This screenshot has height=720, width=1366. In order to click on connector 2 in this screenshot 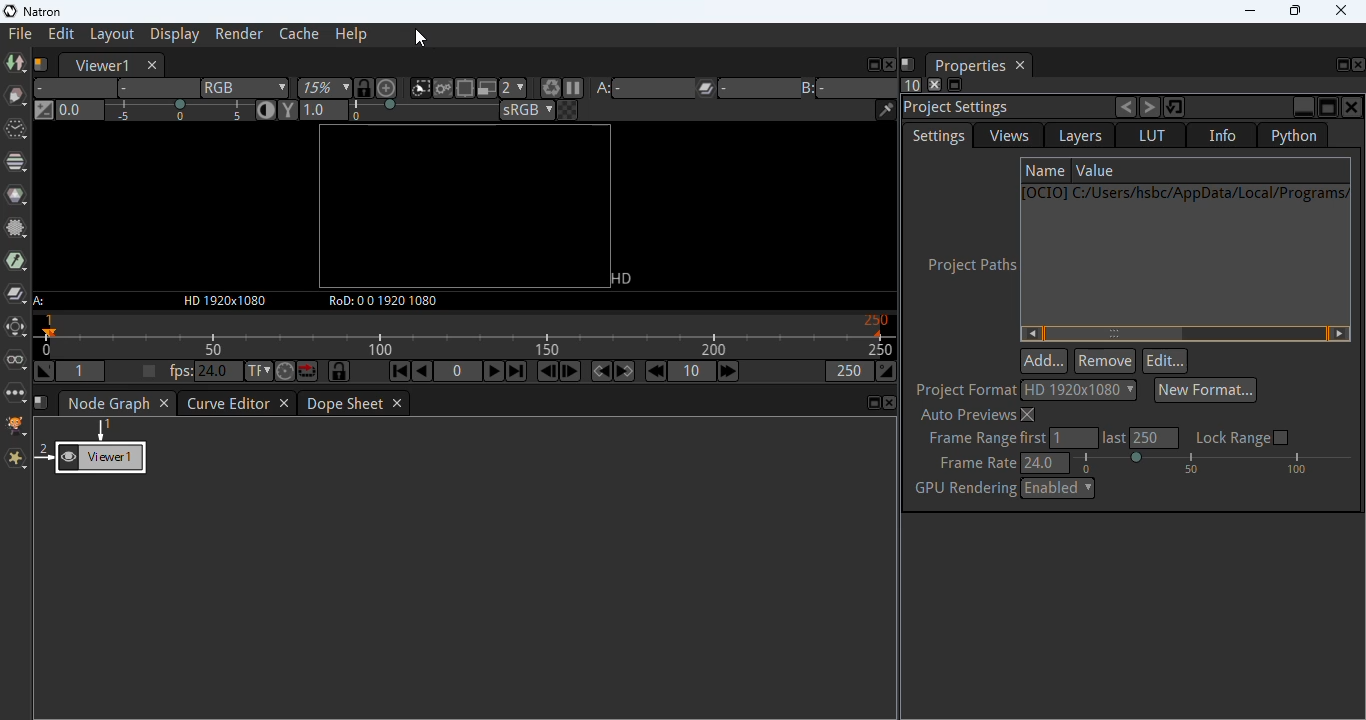, I will do `click(42, 452)`.